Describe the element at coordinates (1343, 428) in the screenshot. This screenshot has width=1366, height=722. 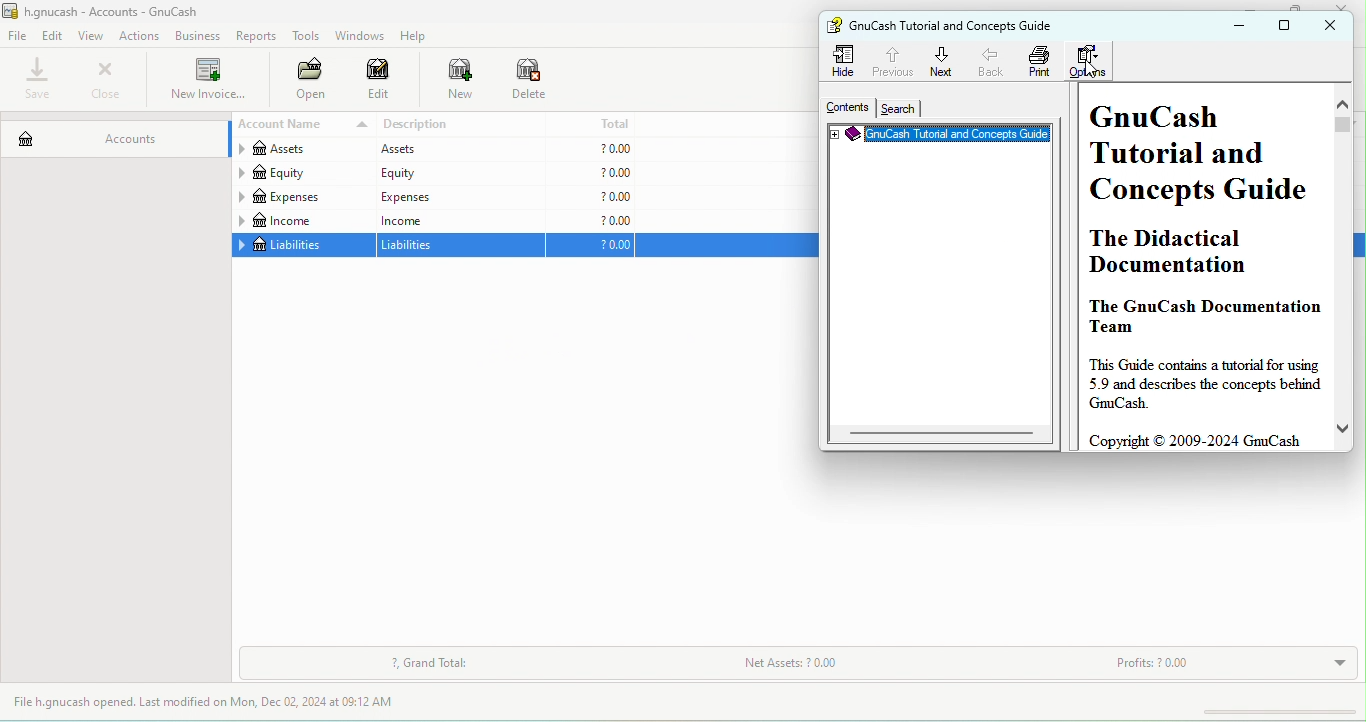
I see `move down` at that location.